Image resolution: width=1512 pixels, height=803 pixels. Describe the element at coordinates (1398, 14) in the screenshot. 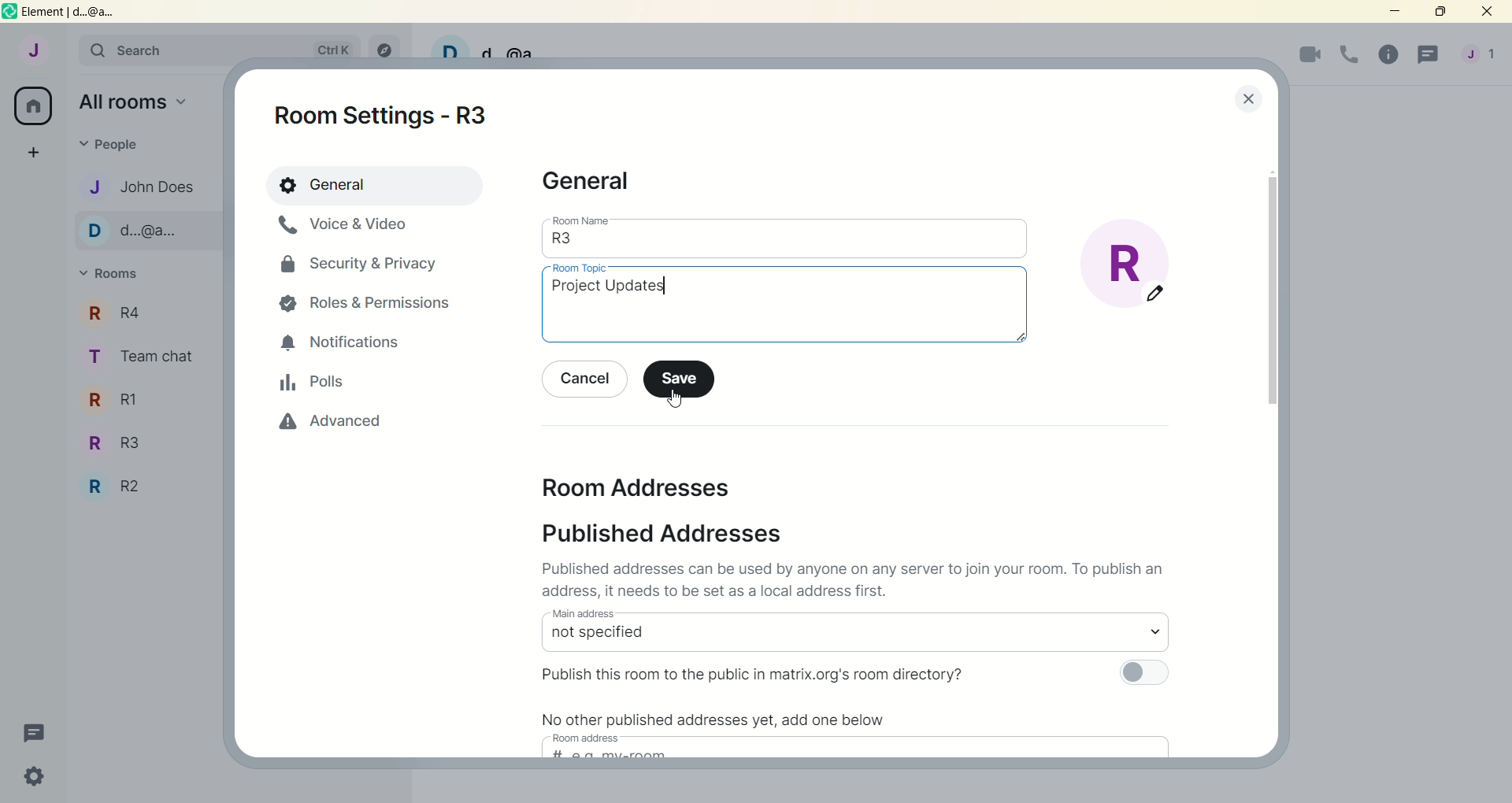

I see `minimize` at that location.